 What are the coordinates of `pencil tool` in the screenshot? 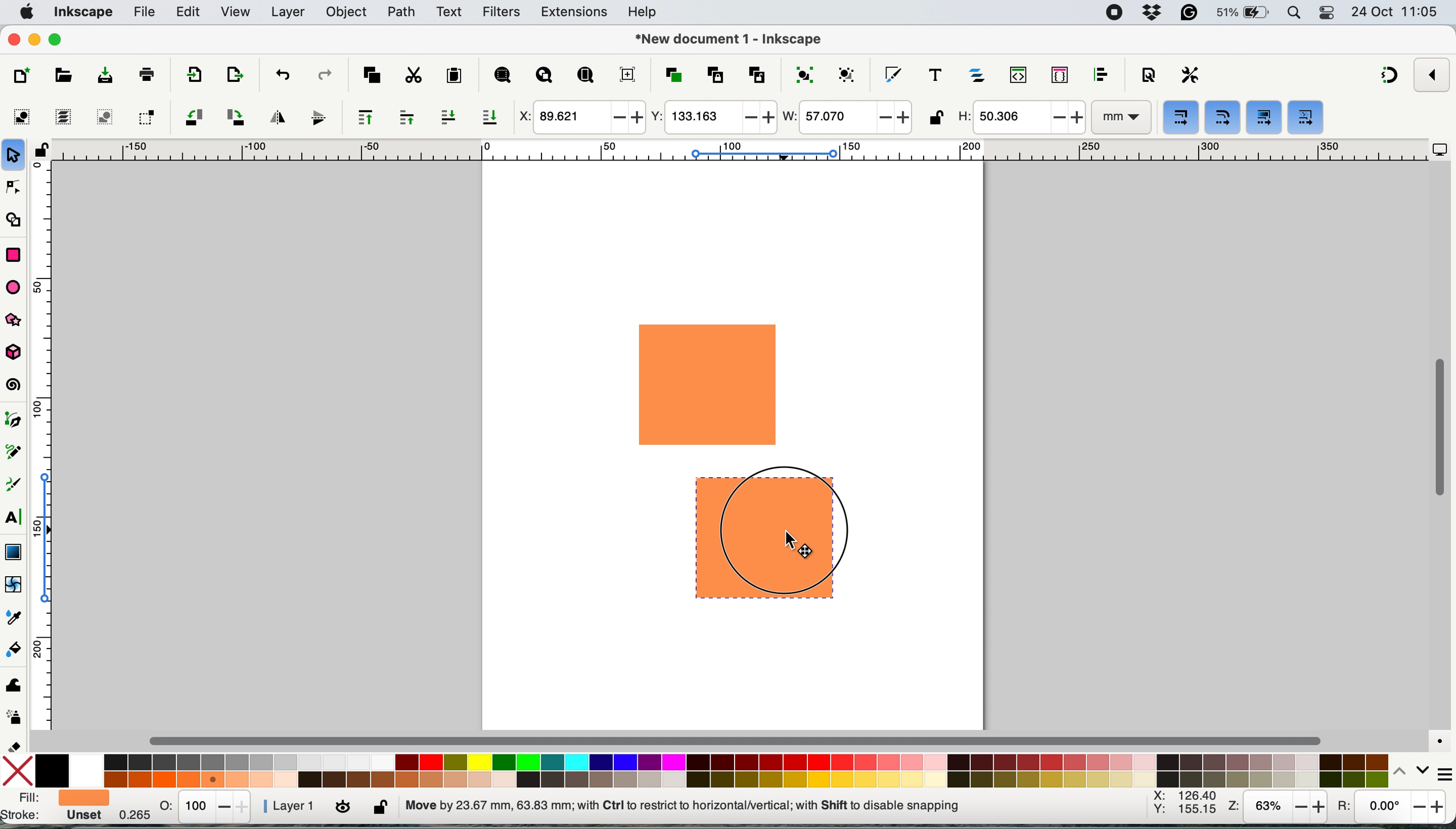 It's located at (18, 455).